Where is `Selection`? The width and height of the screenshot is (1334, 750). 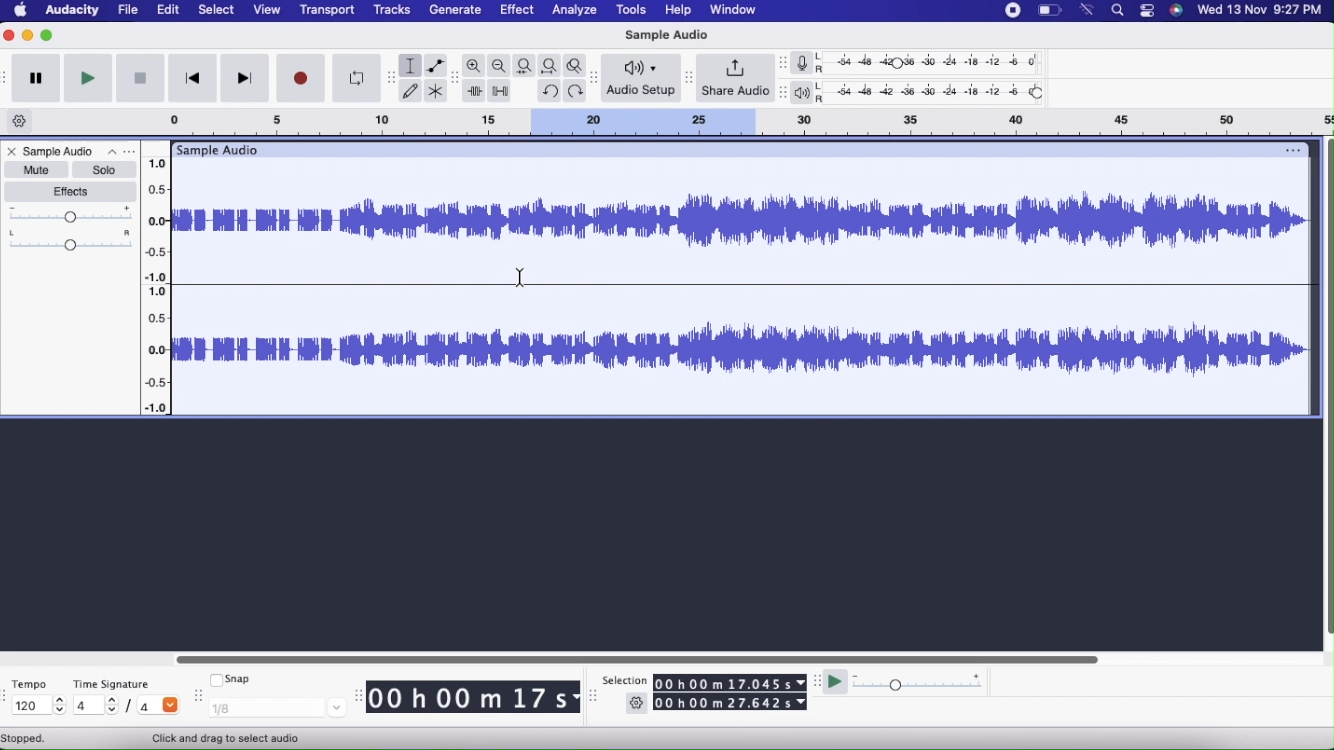
Selection is located at coordinates (624, 681).